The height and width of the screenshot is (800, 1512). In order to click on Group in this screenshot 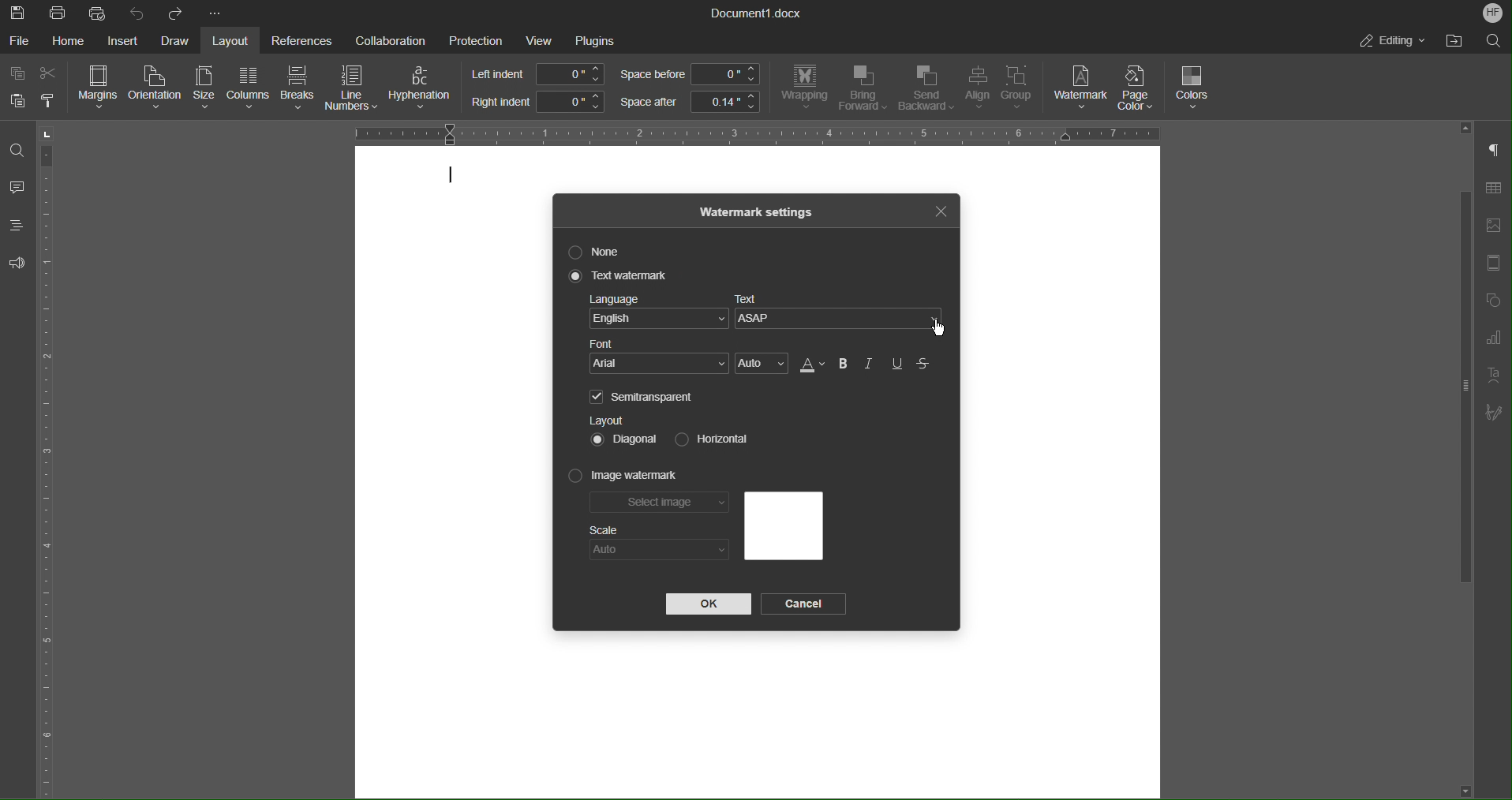, I will do `click(1022, 90)`.